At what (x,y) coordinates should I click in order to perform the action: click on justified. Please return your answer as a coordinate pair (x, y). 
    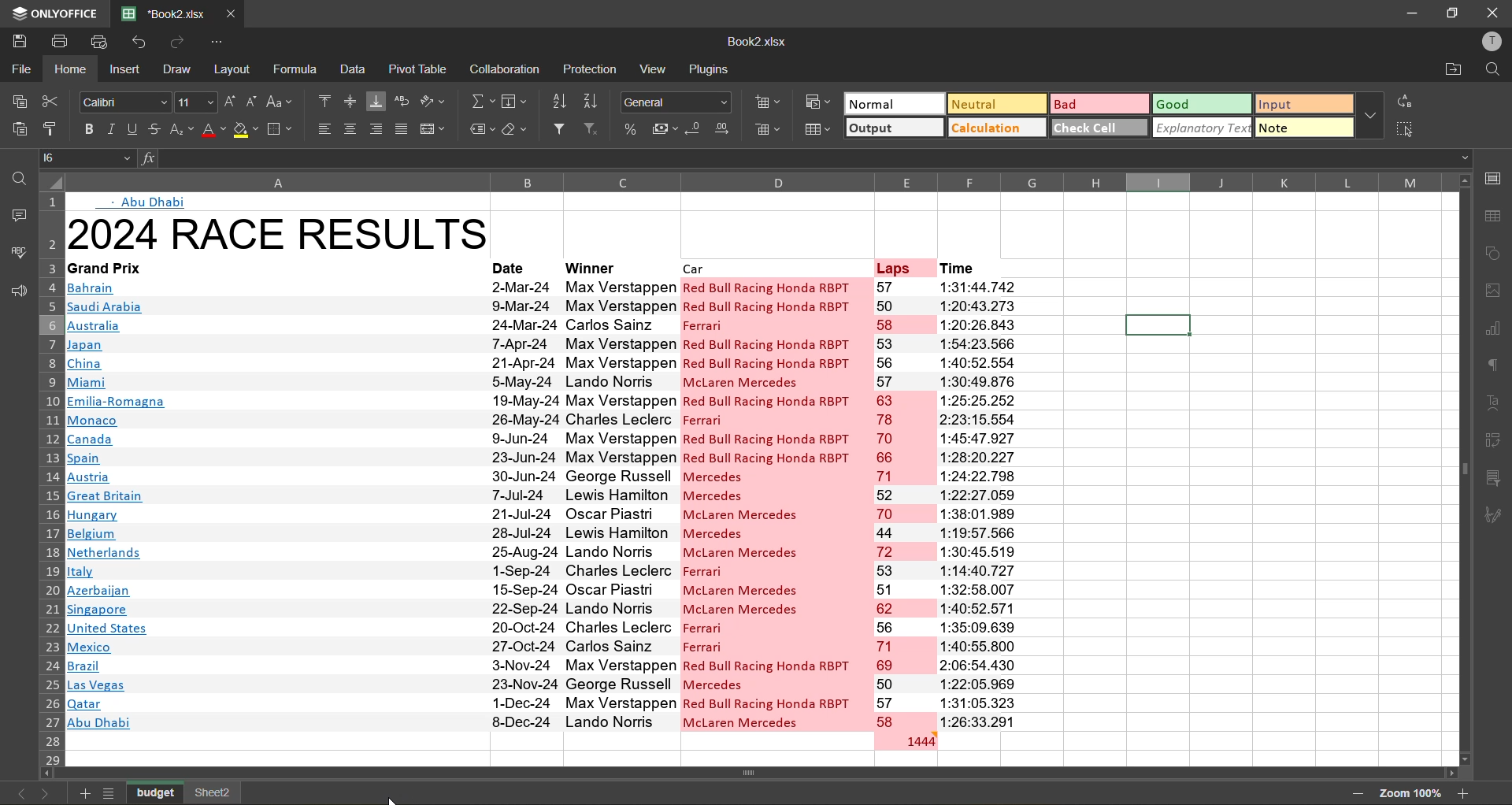
    Looking at the image, I should click on (401, 131).